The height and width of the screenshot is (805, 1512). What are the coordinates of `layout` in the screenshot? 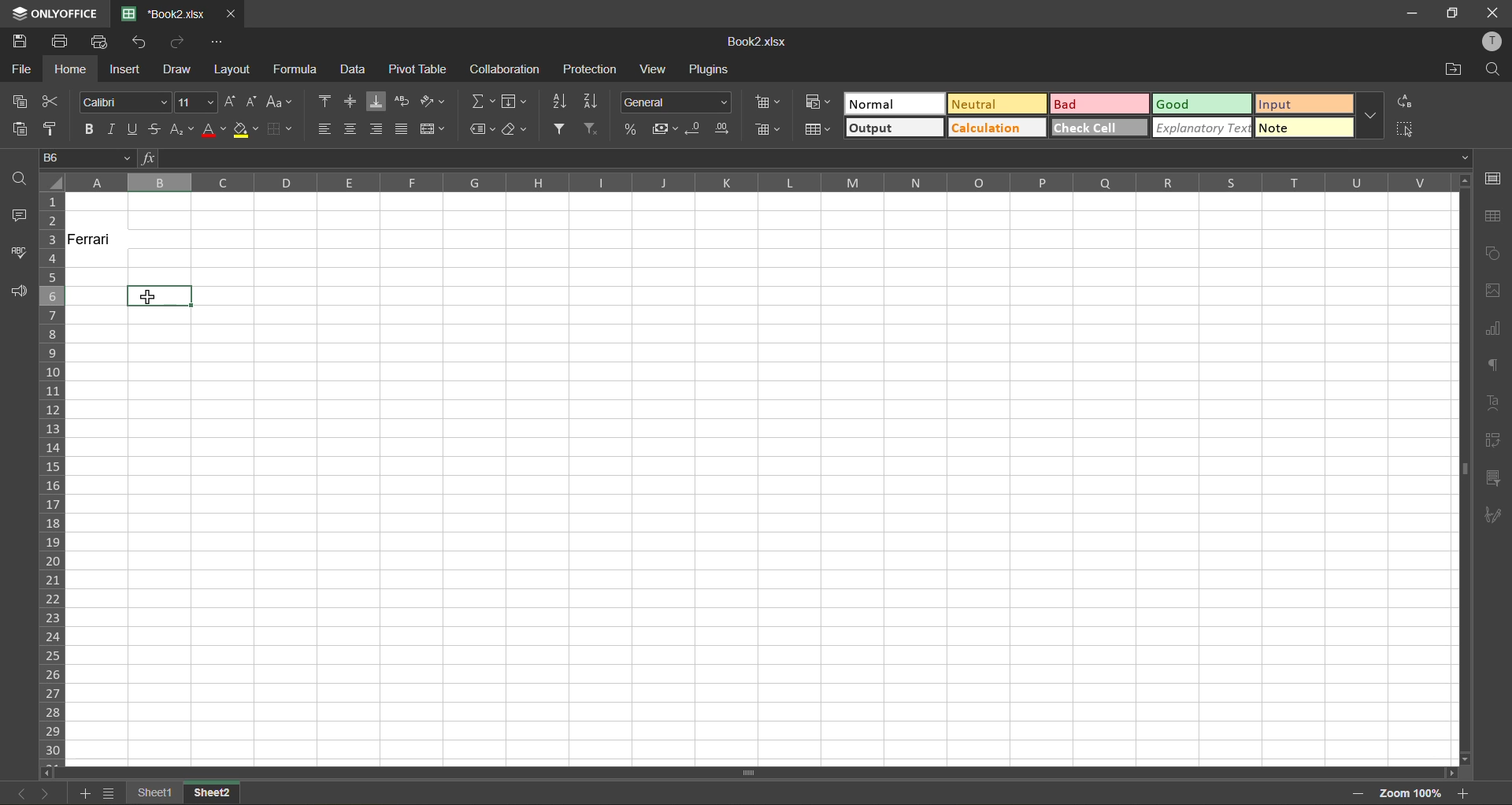 It's located at (231, 69).